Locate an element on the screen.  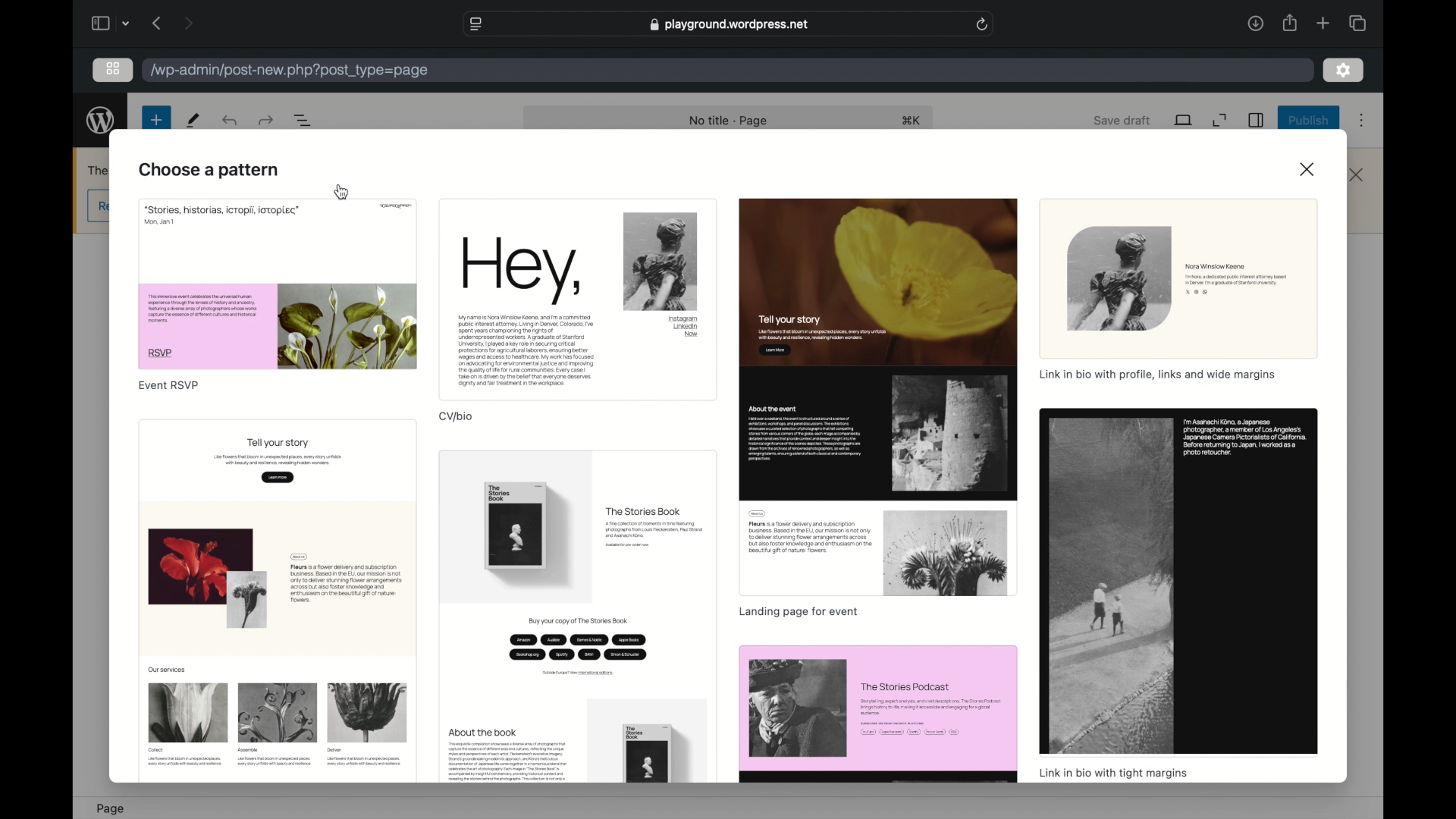
document overview is located at coordinates (306, 121).